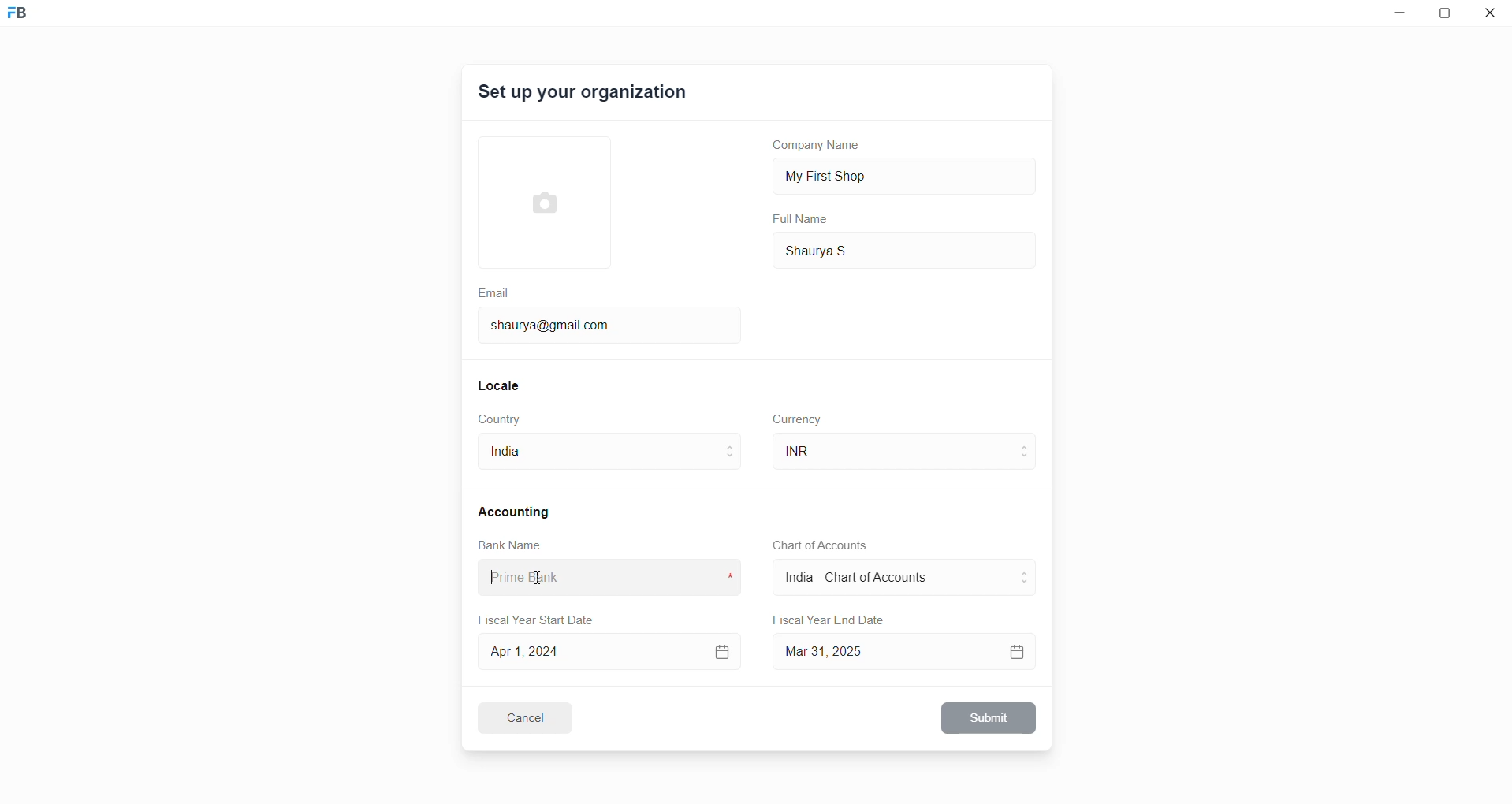 This screenshot has height=804, width=1512. I want to click on Frappe Book logo, so click(31, 20).